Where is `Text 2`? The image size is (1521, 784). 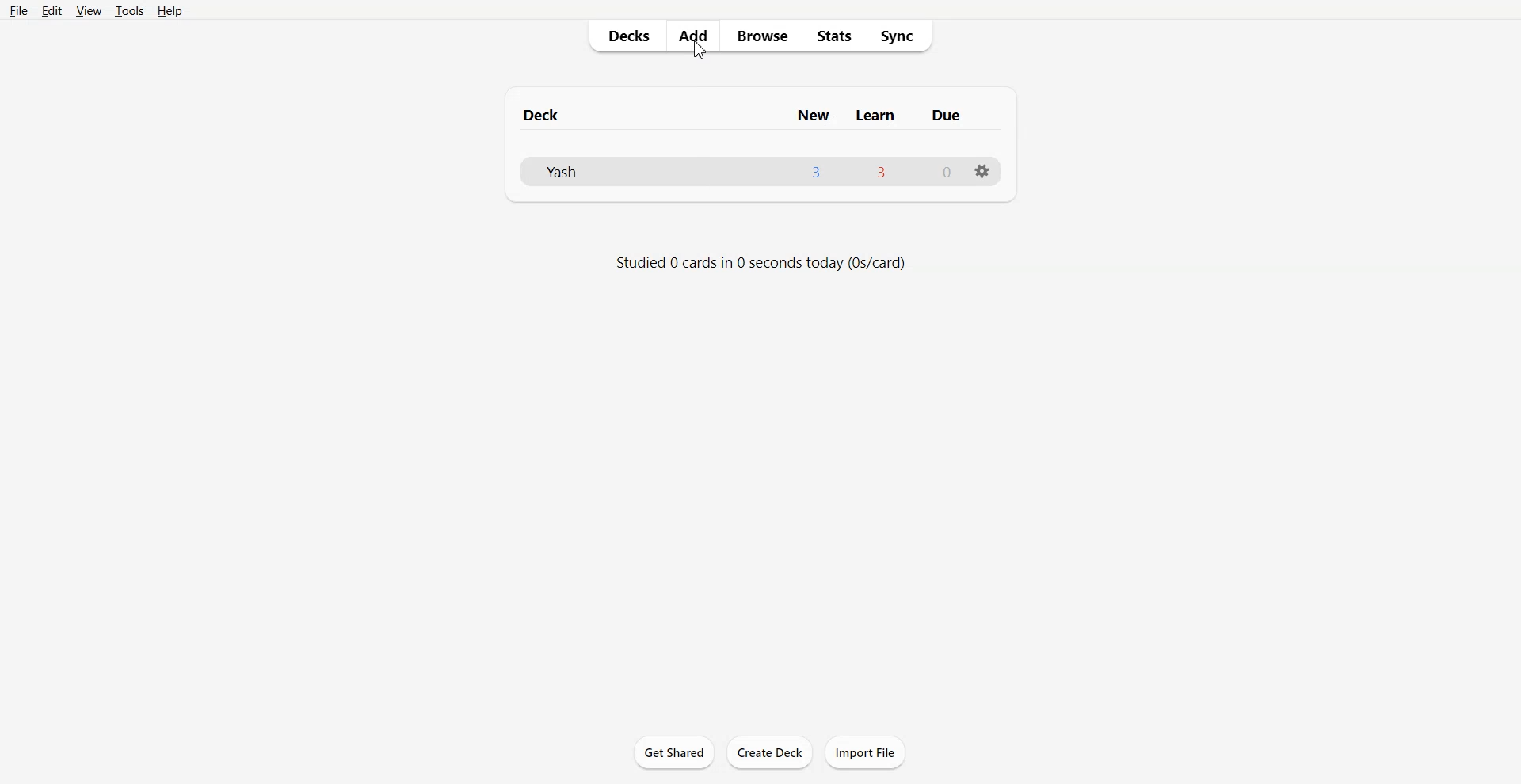
Text 2 is located at coordinates (762, 261).